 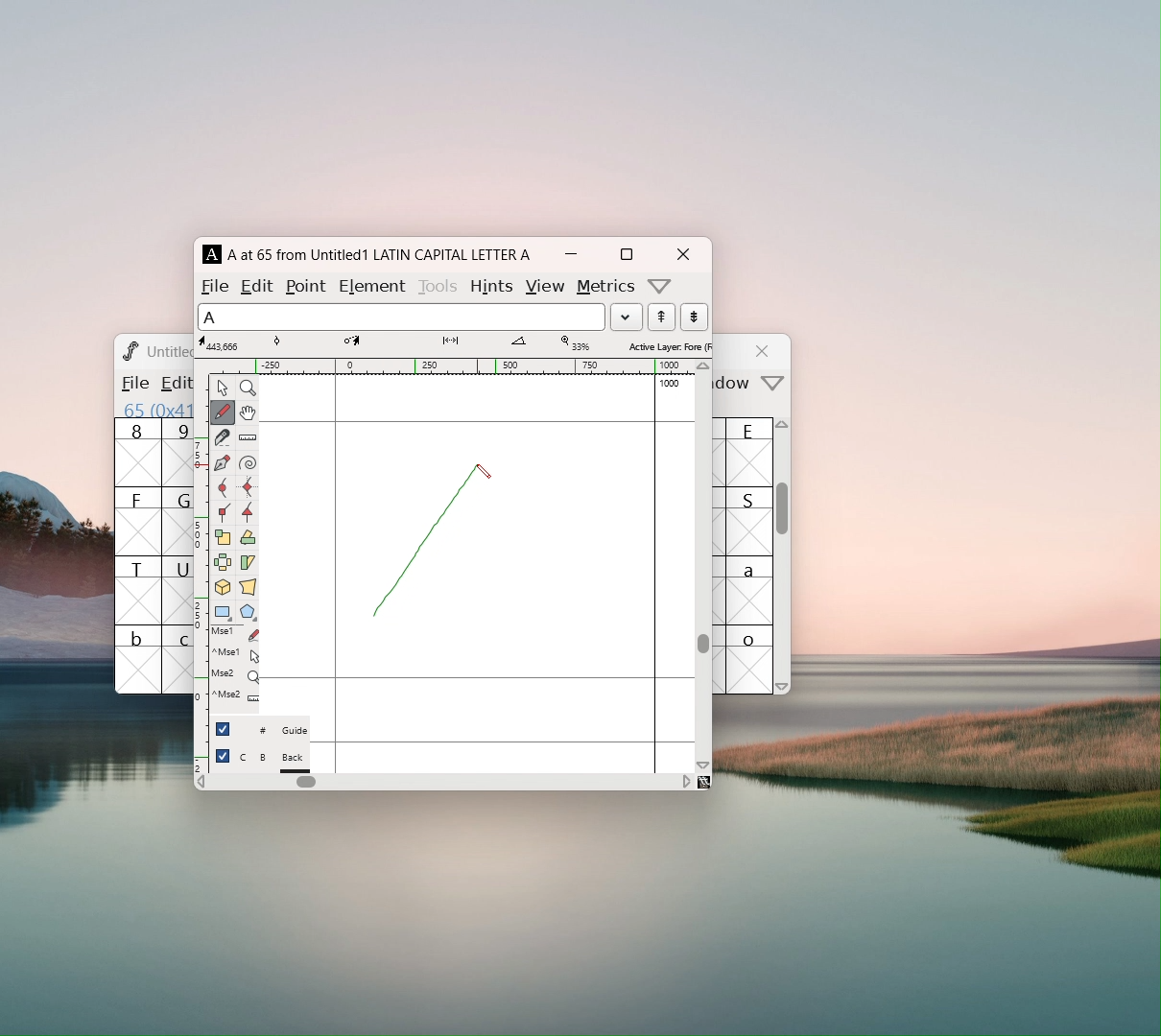 I want to click on cursor, so click(x=485, y=472).